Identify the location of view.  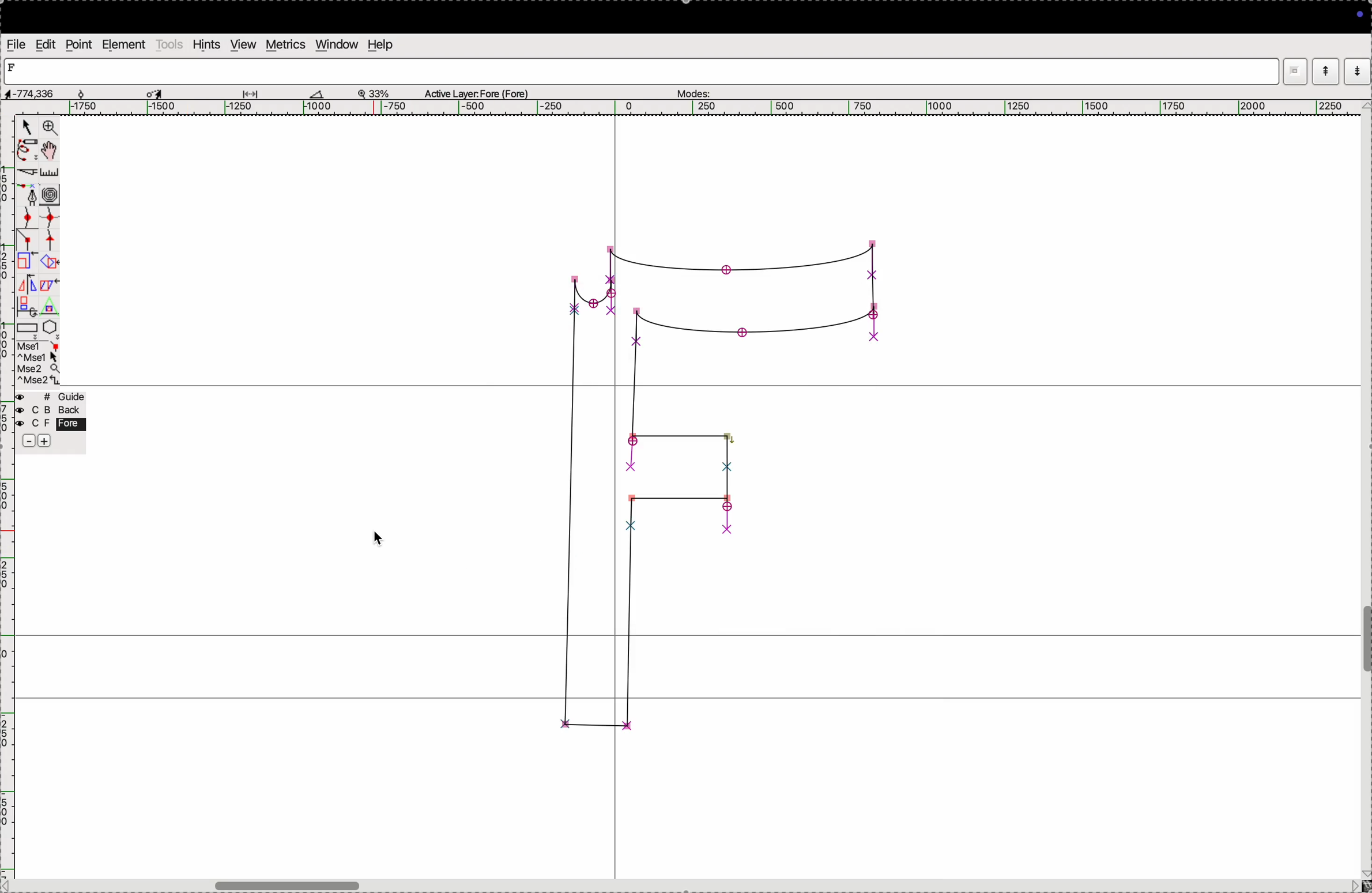
(242, 44).